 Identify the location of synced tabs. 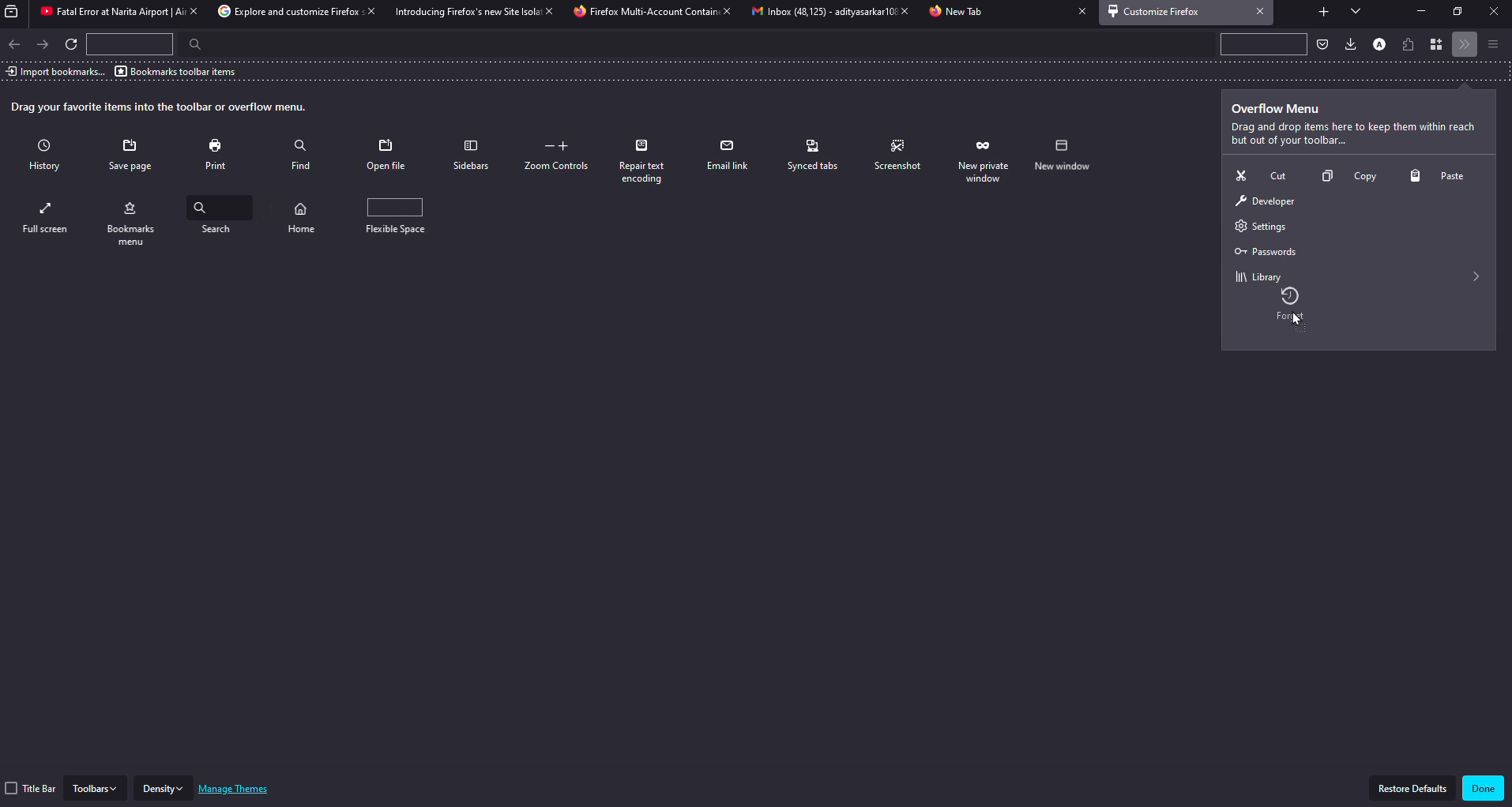
(814, 155).